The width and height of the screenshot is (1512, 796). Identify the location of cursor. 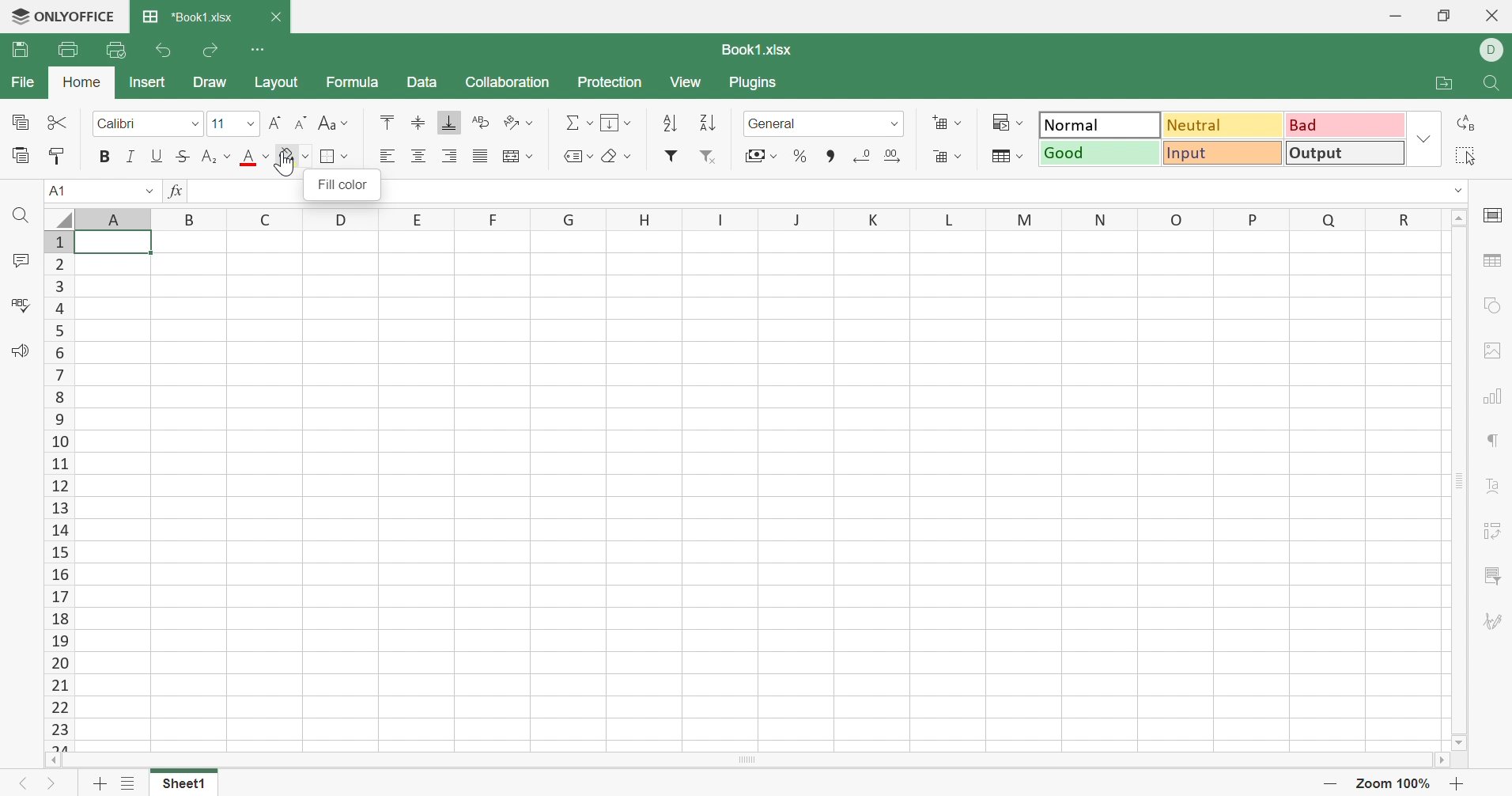
(289, 165).